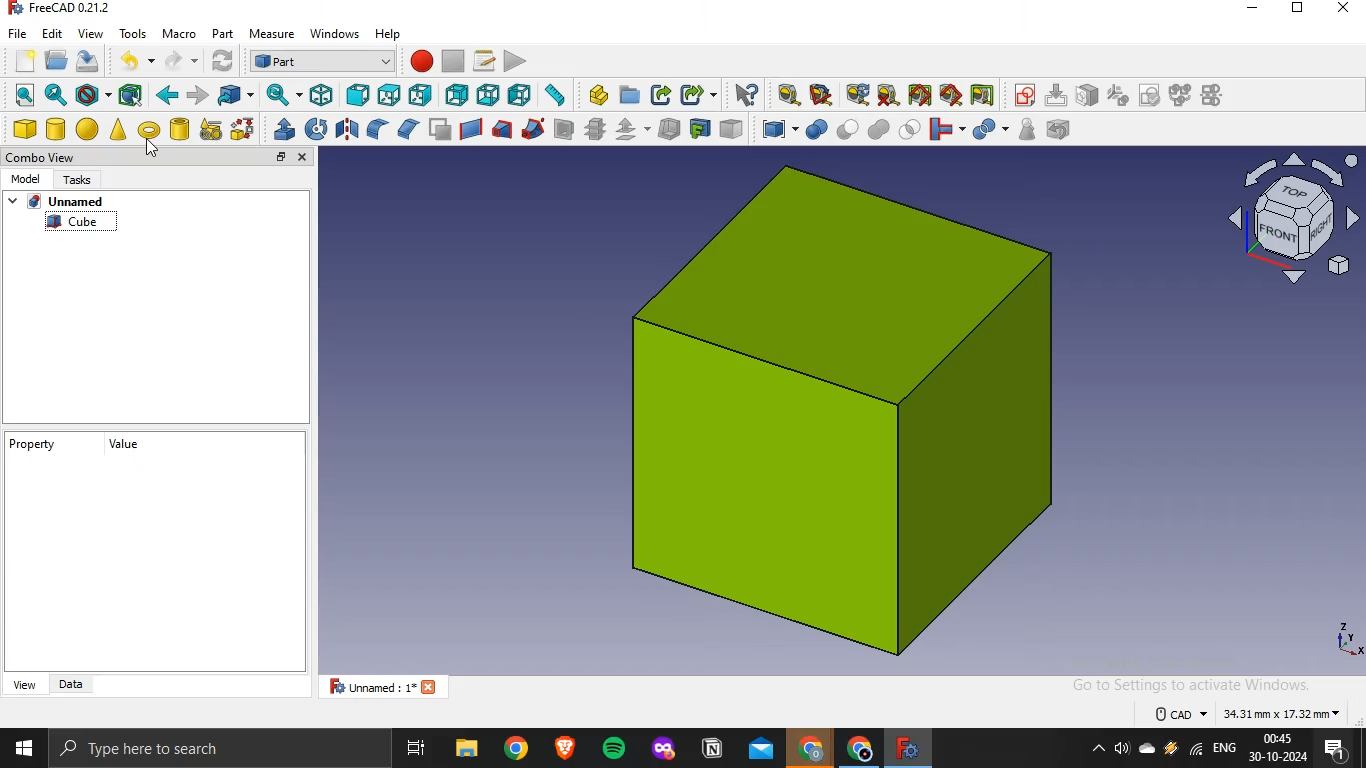 This screenshot has height=768, width=1366. I want to click on freecad 0.21.2, so click(66, 10).